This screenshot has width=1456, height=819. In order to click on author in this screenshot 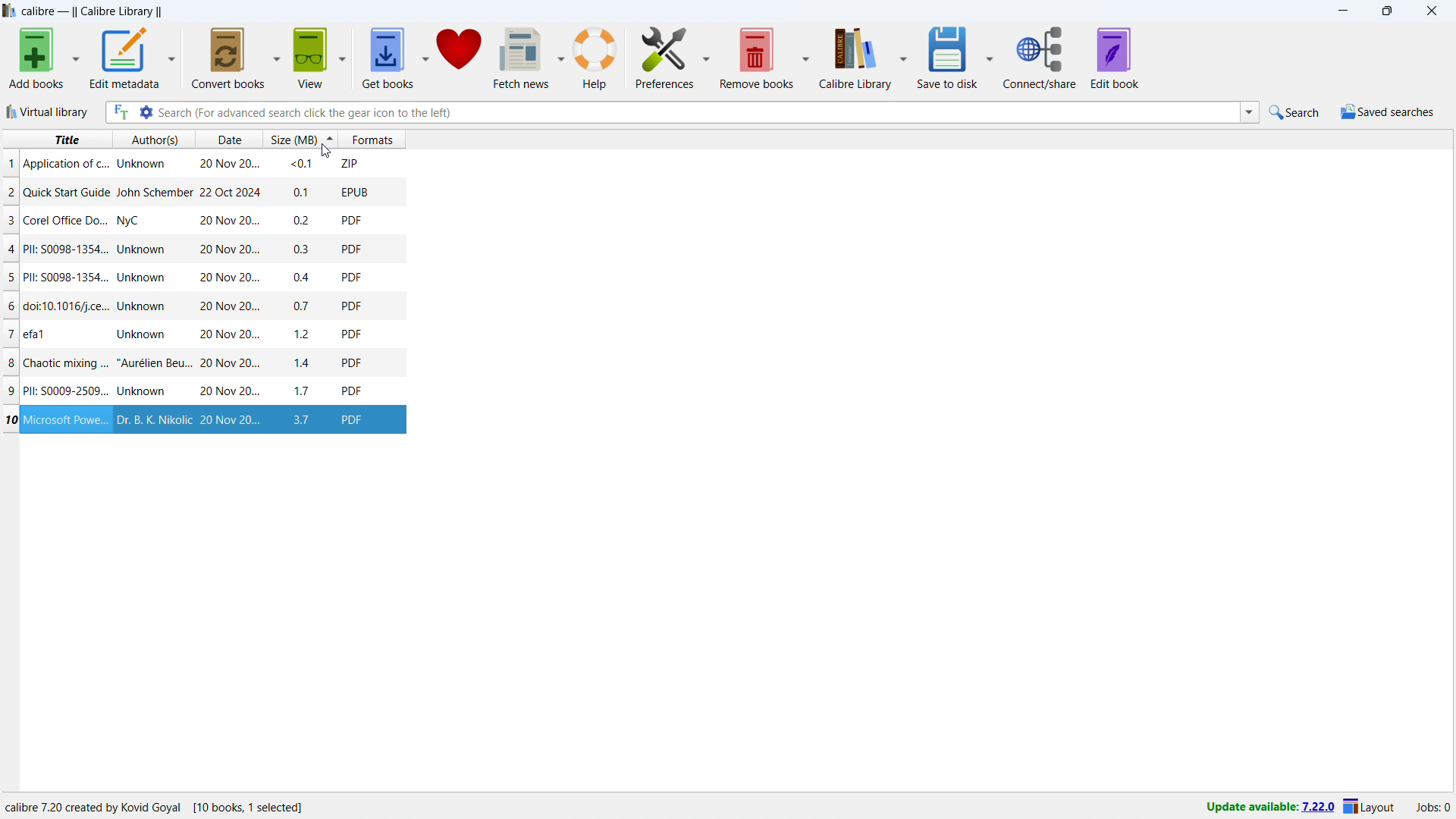, I will do `click(136, 220)`.